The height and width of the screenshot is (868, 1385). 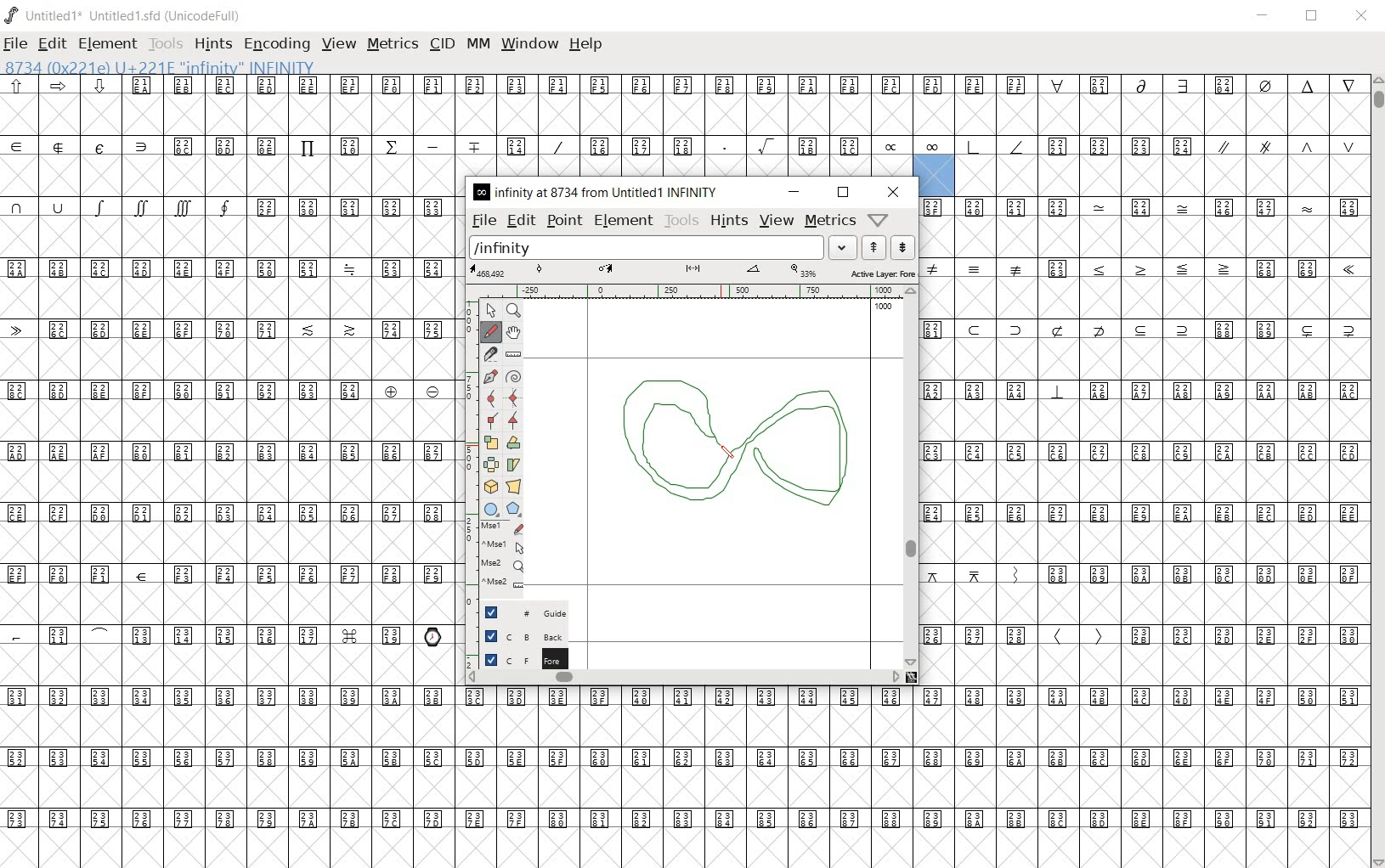 I want to click on symbol, so click(x=1143, y=206).